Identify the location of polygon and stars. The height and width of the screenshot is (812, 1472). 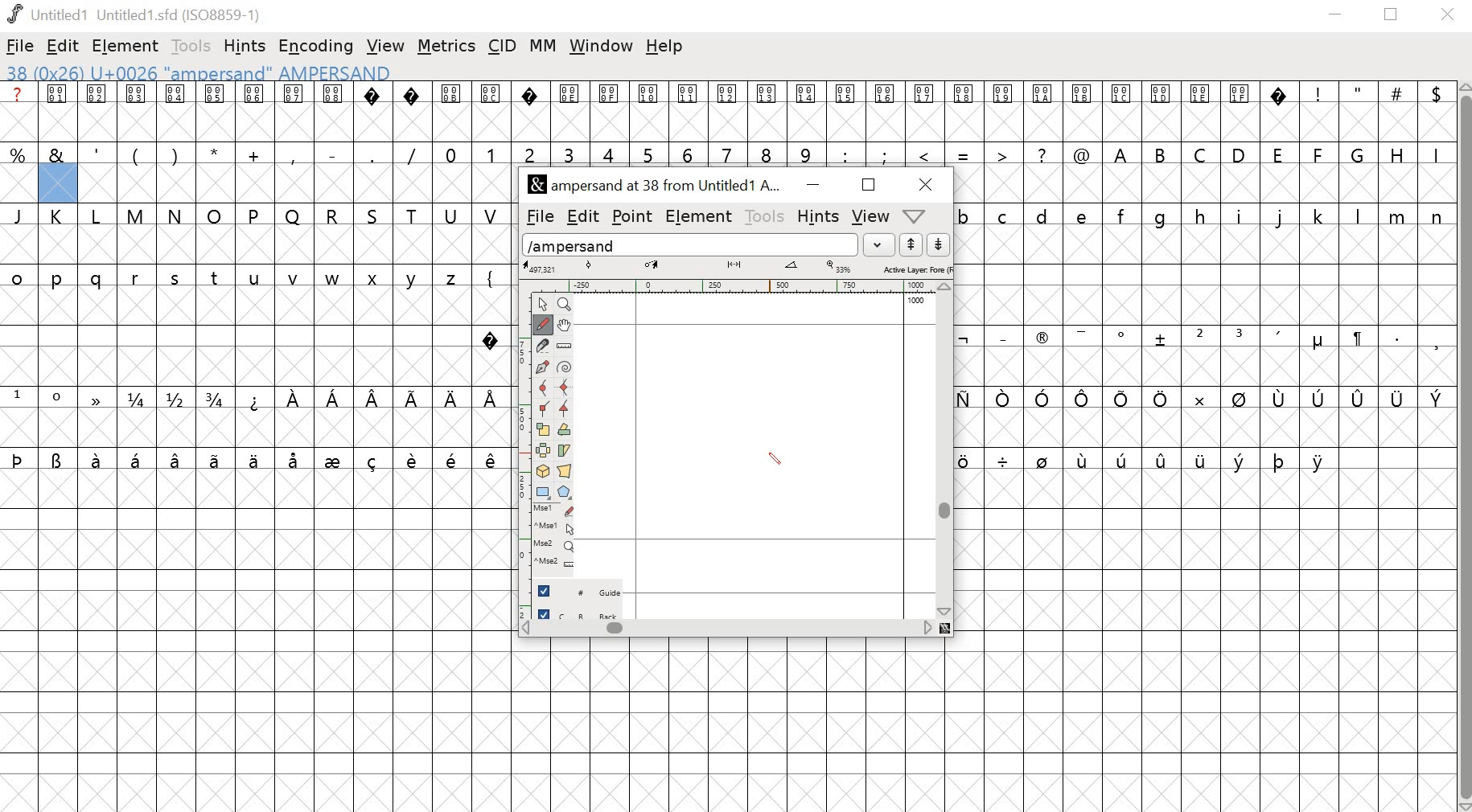
(566, 492).